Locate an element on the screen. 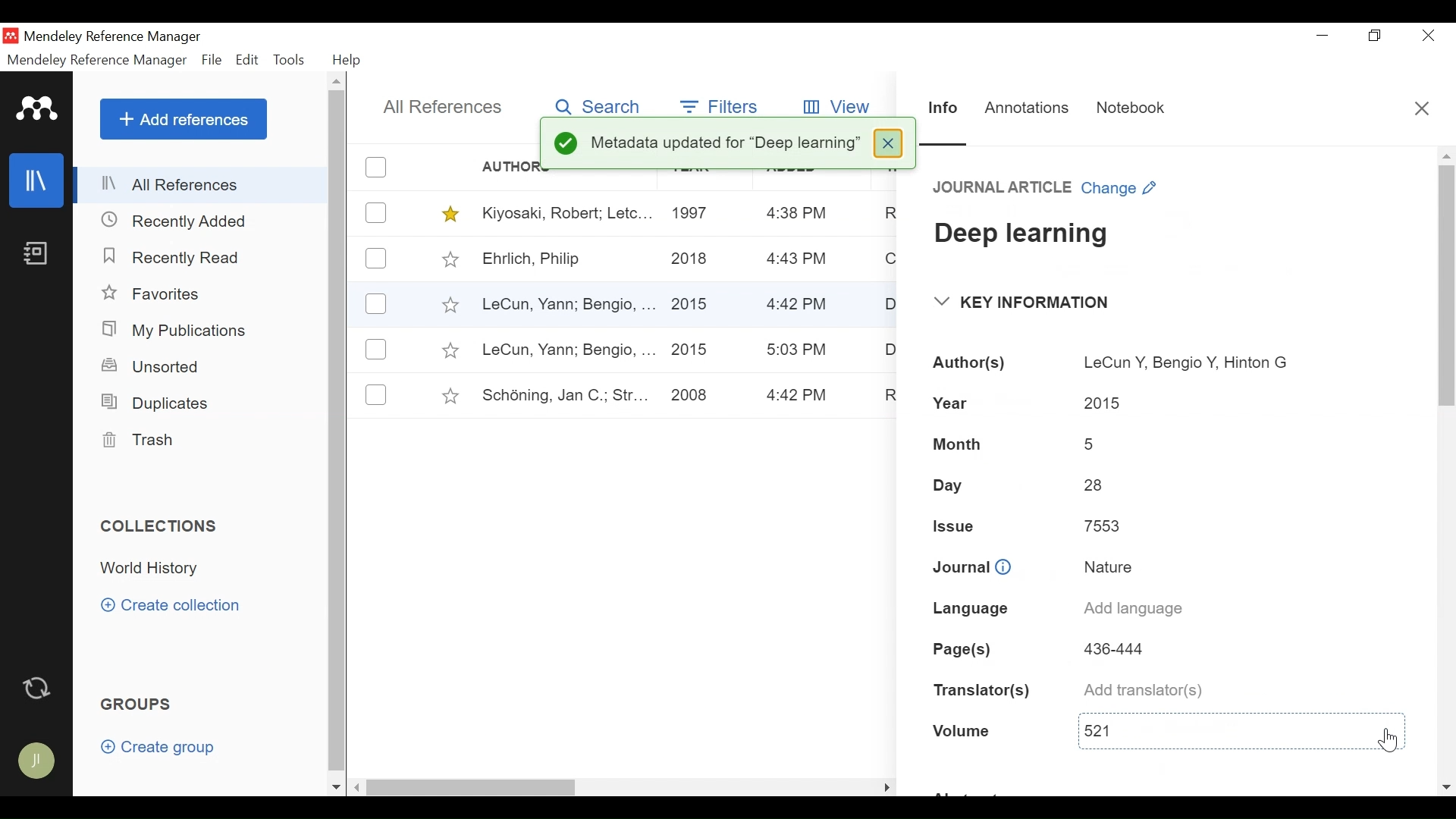 This screenshot has height=819, width=1456. Mendeley Reference Manger is located at coordinates (122, 36).